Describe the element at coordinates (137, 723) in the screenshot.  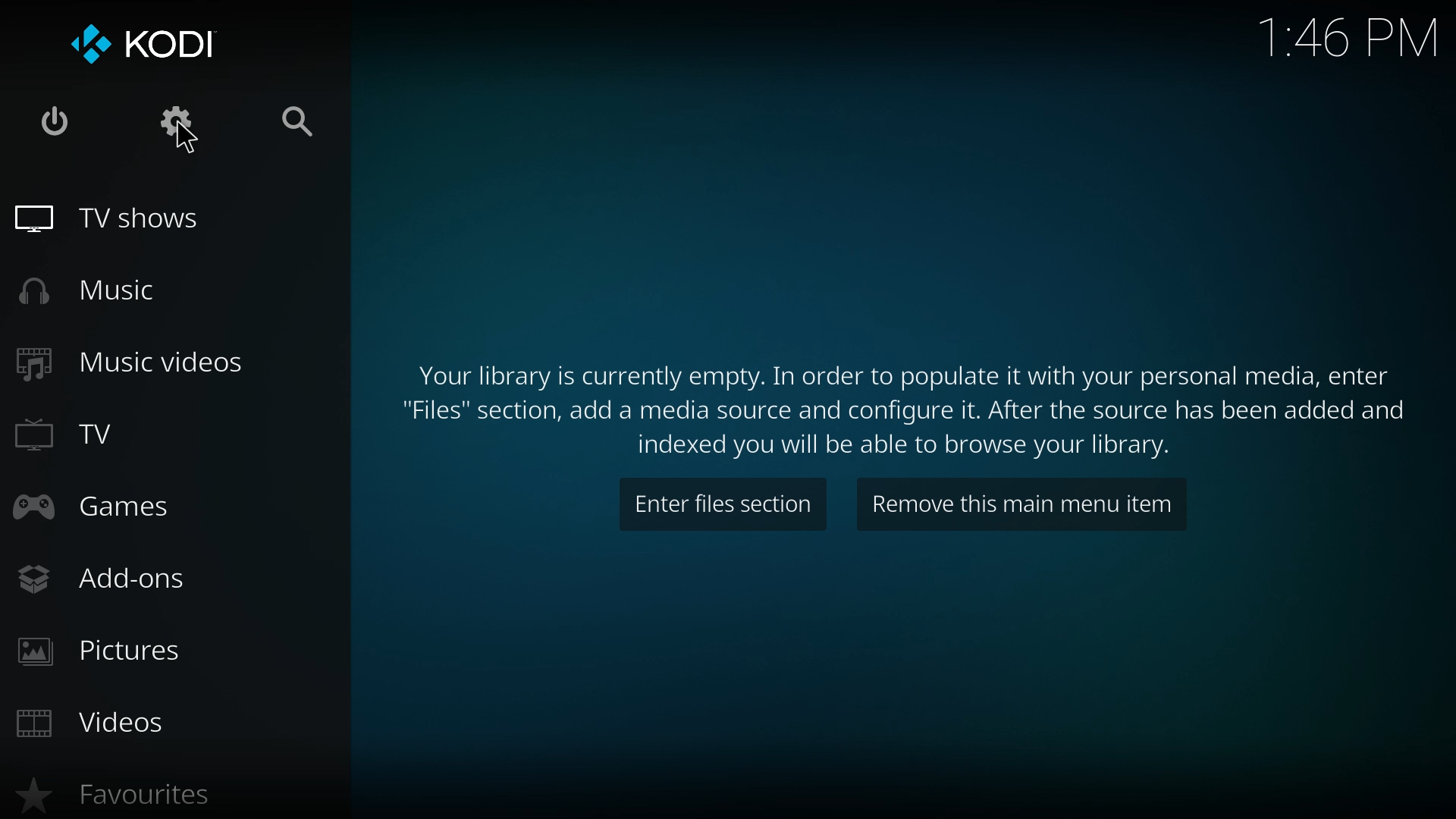
I see `videos` at that location.